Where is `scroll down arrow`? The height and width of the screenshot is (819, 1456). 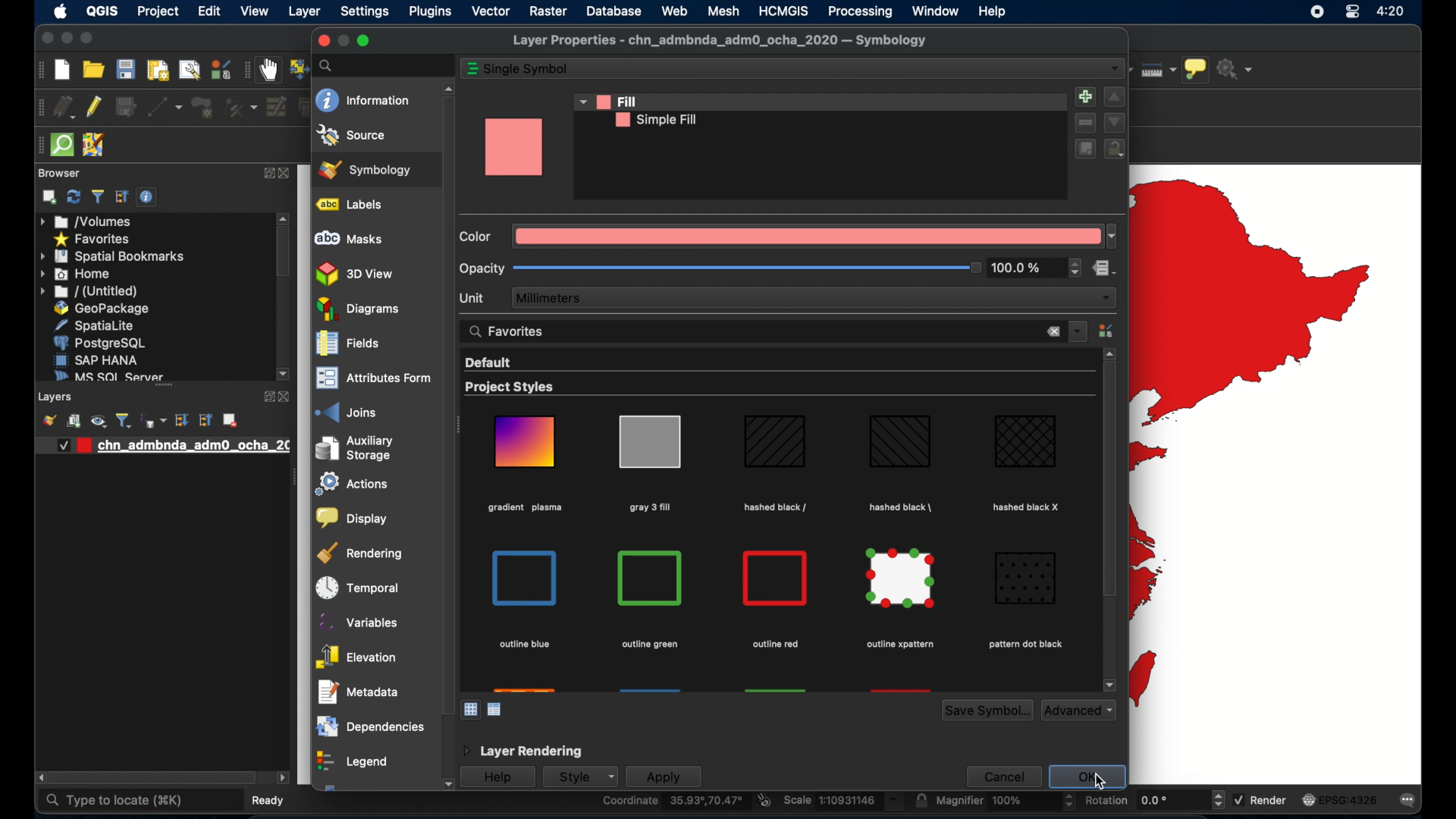 scroll down arrow is located at coordinates (1109, 685).